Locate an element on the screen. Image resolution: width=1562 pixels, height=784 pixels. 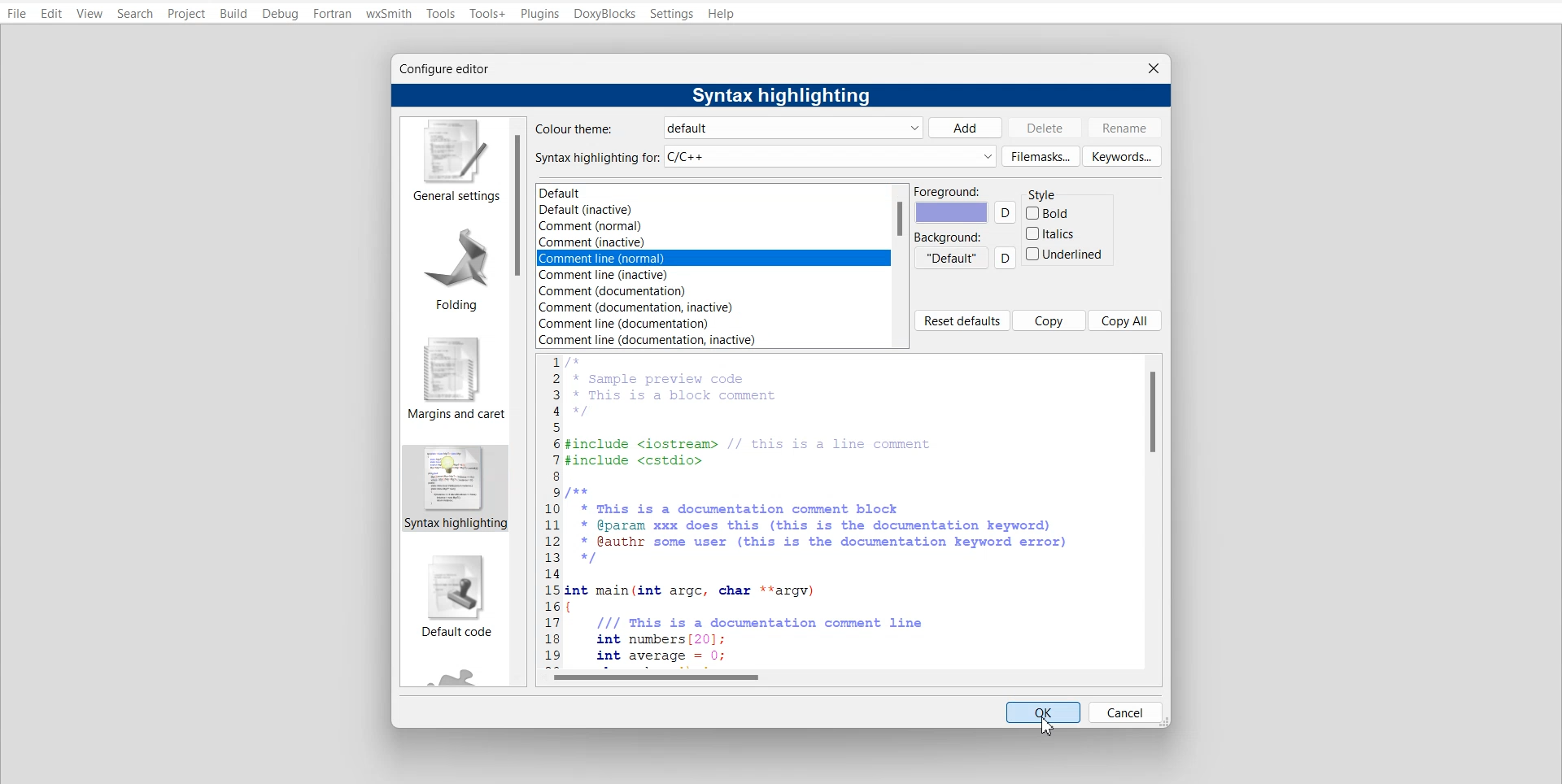
File  is located at coordinates (16, 14).